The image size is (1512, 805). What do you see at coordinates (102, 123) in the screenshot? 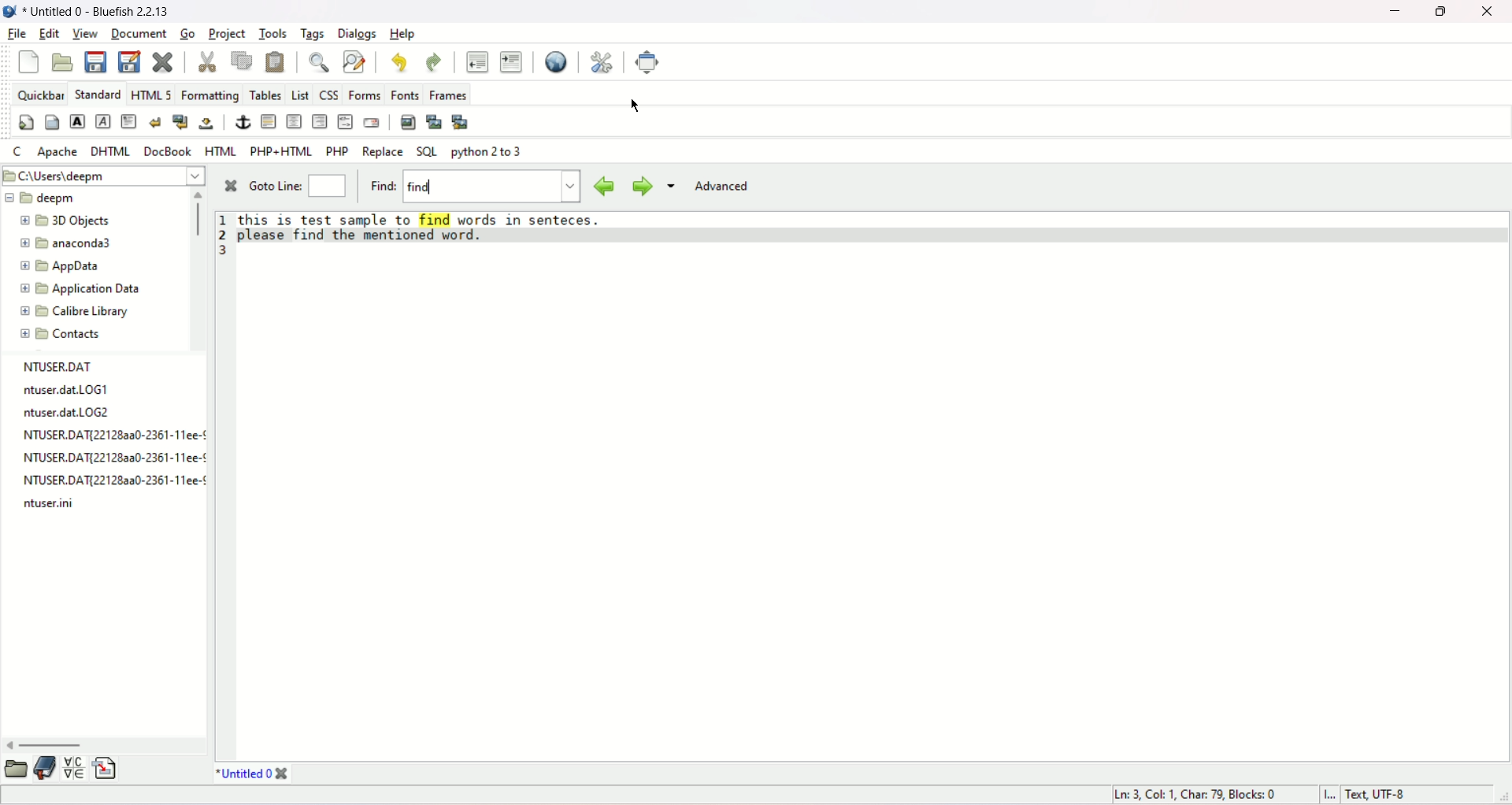
I see `emphasis` at bounding box center [102, 123].